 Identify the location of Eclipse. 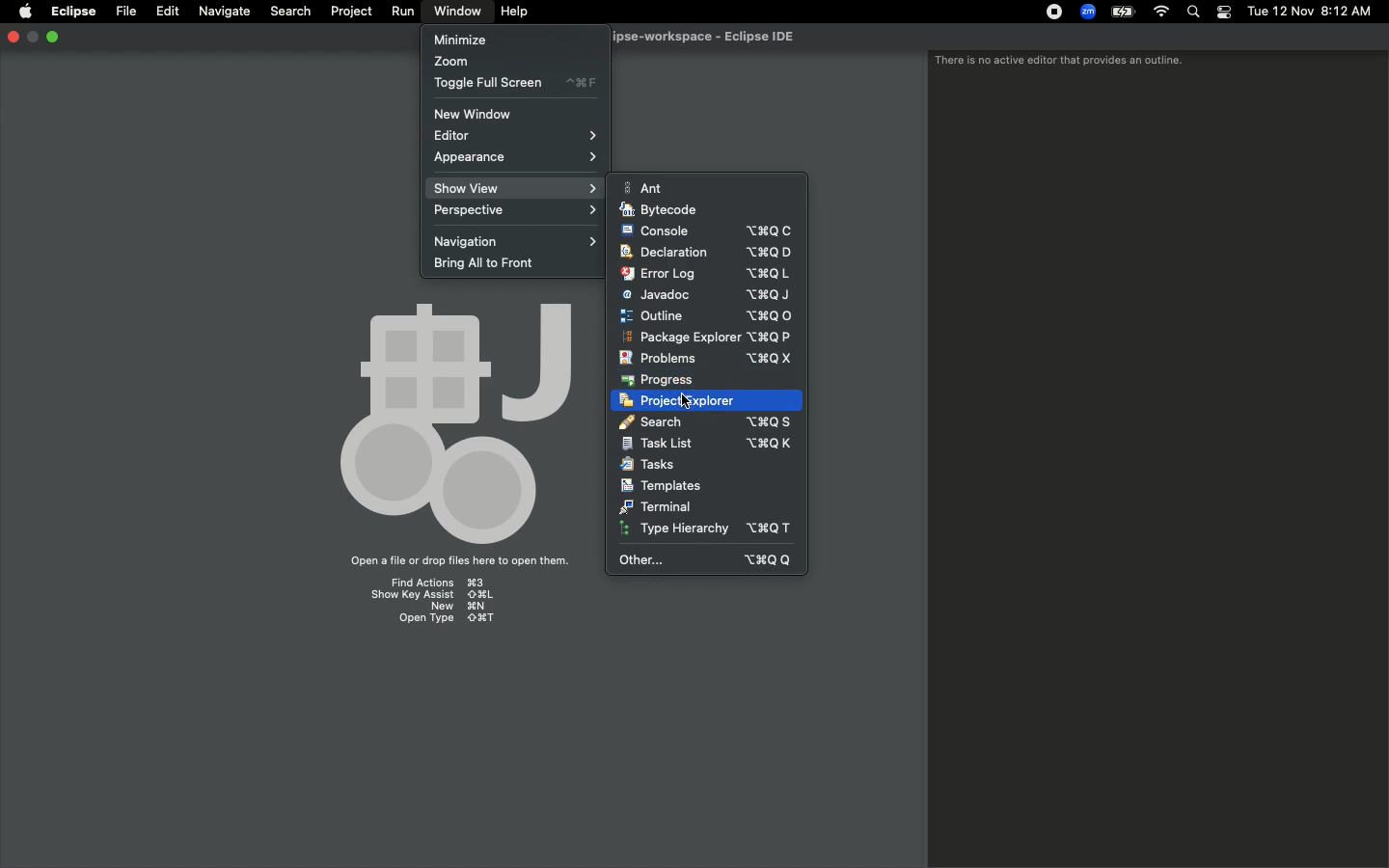
(73, 13).